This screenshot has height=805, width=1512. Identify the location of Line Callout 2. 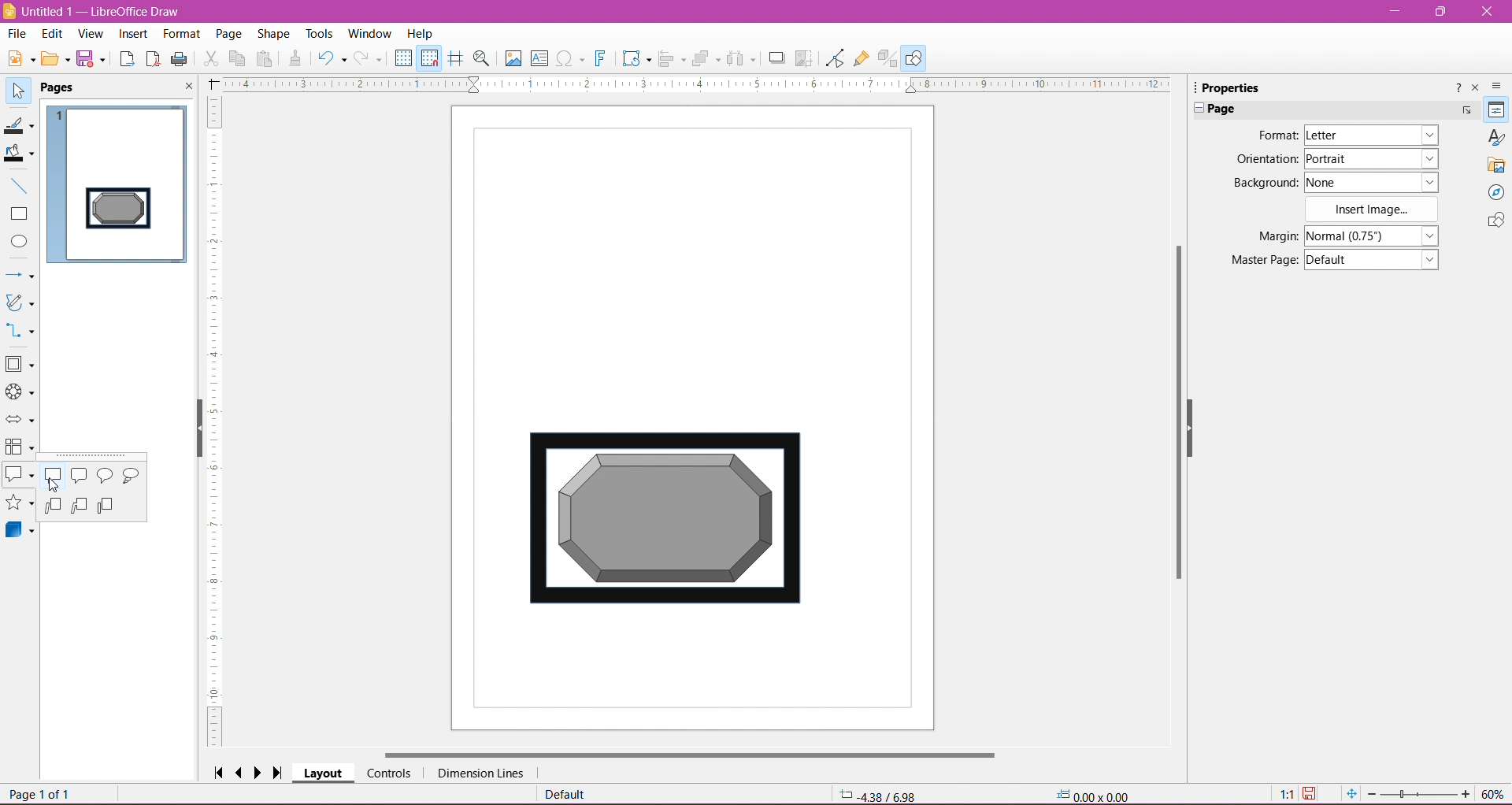
(80, 506).